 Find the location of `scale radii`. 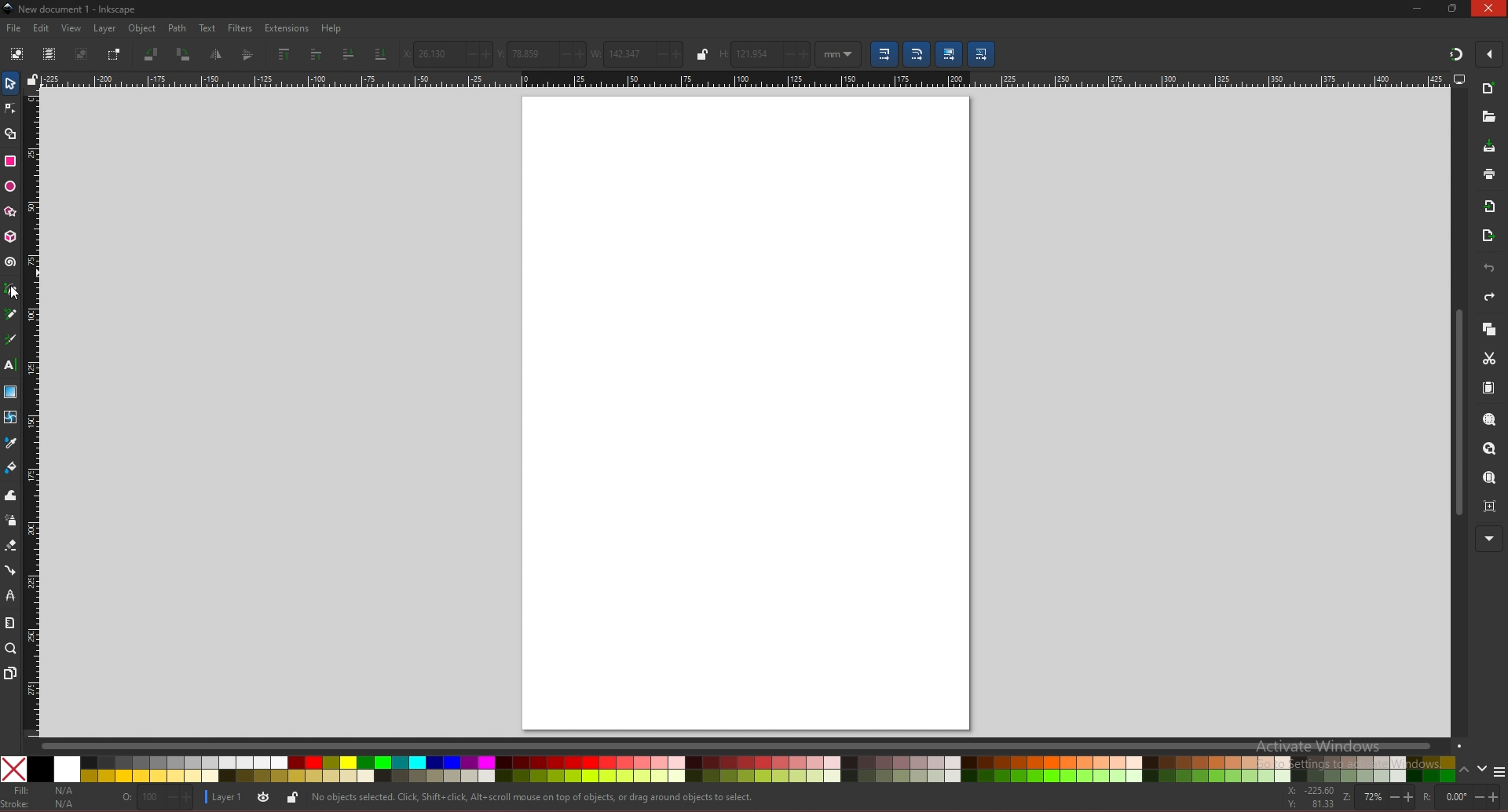

scale radii is located at coordinates (917, 54).